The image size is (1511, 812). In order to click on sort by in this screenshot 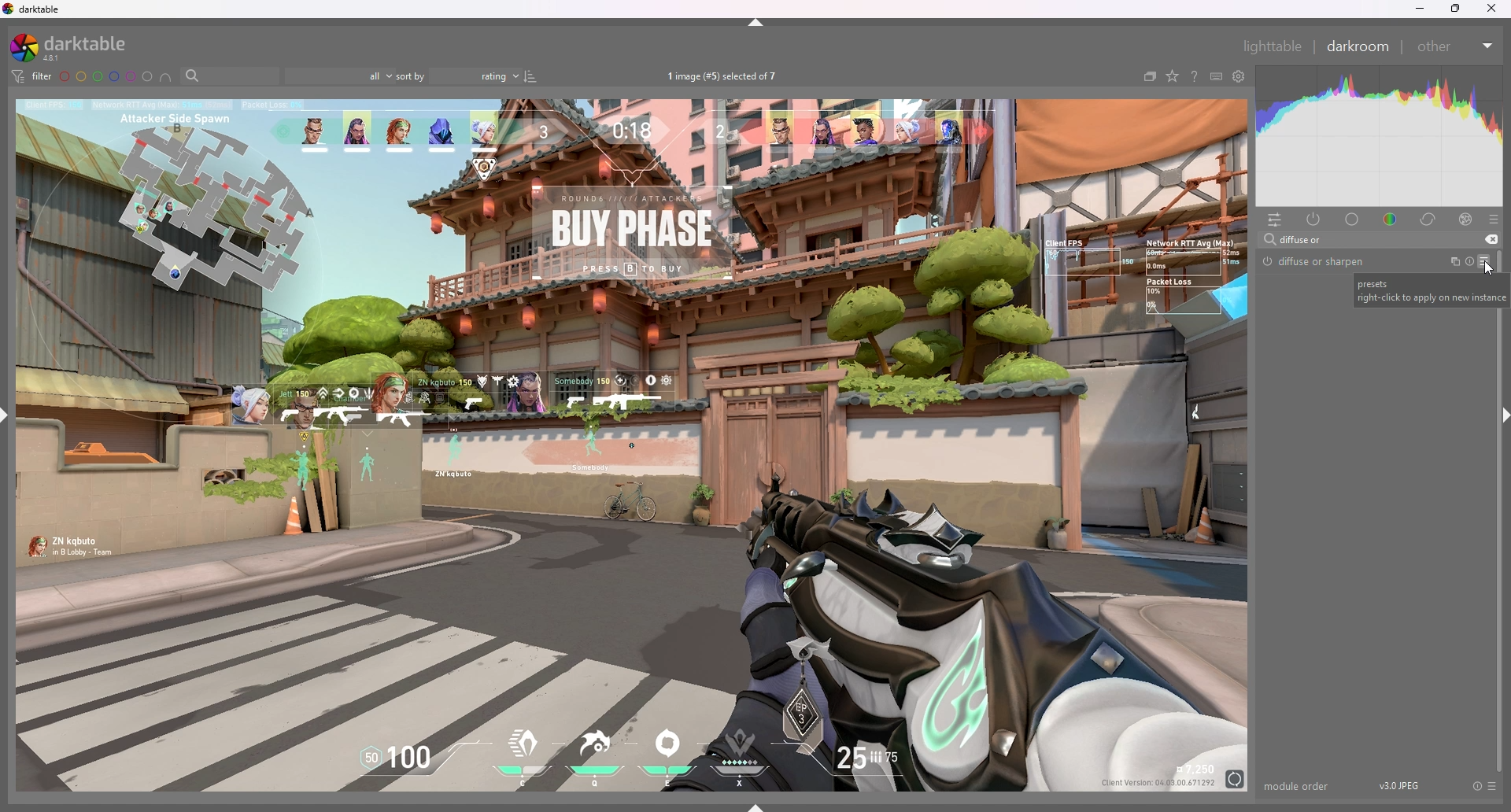, I will do `click(458, 76)`.